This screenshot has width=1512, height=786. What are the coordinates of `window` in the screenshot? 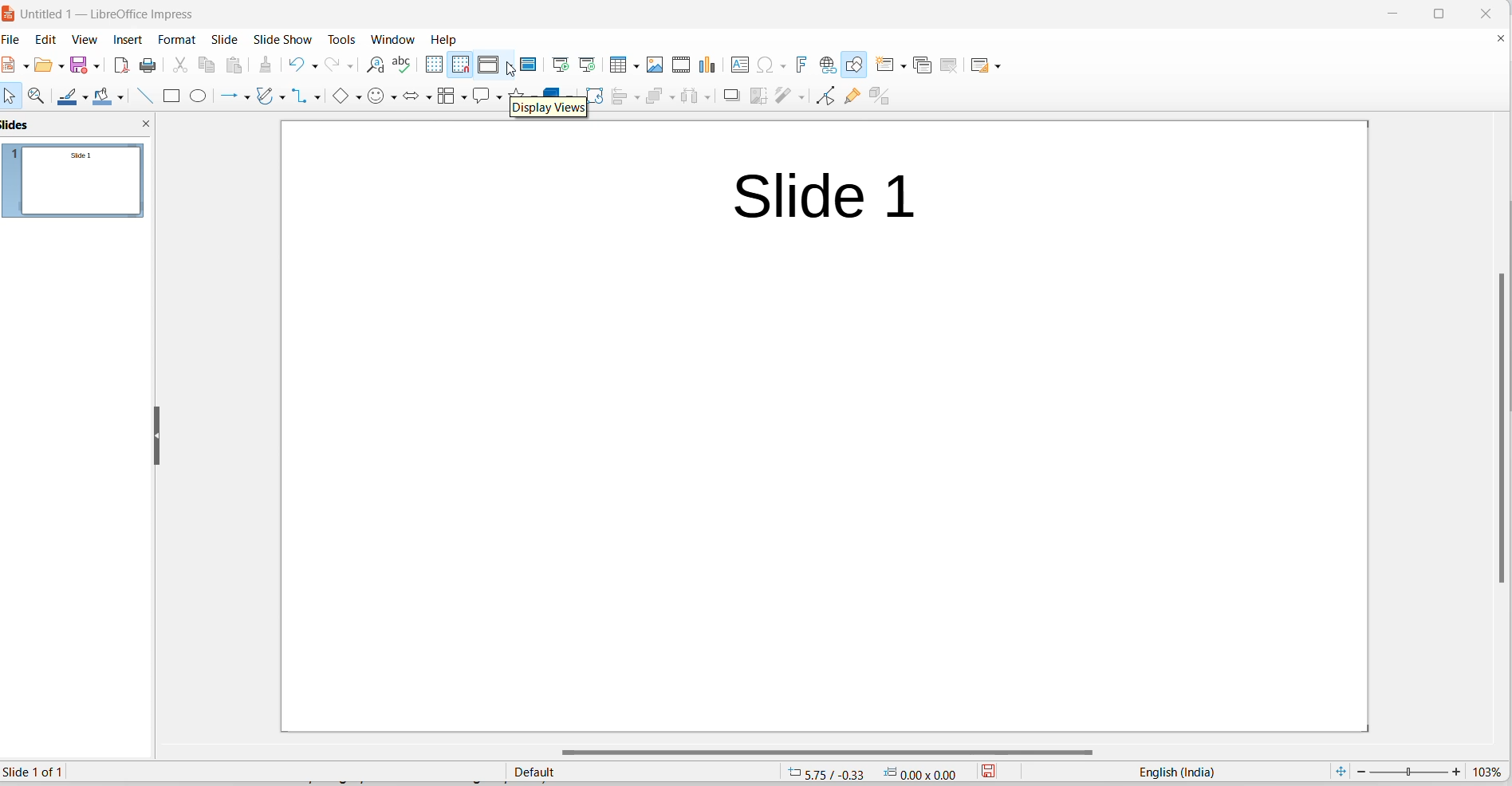 It's located at (392, 38).